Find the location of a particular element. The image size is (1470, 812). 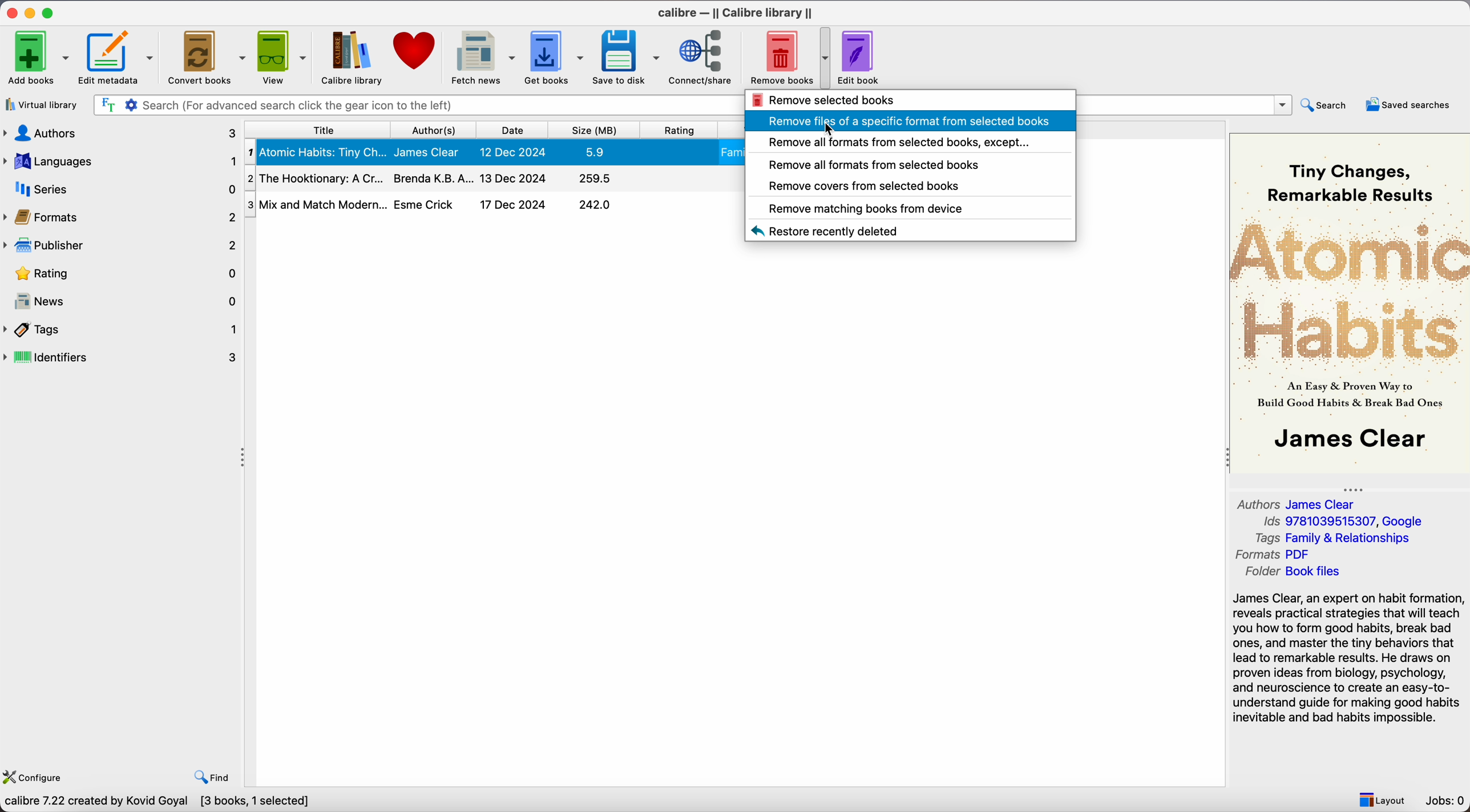

James Clear is located at coordinates (428, 152).